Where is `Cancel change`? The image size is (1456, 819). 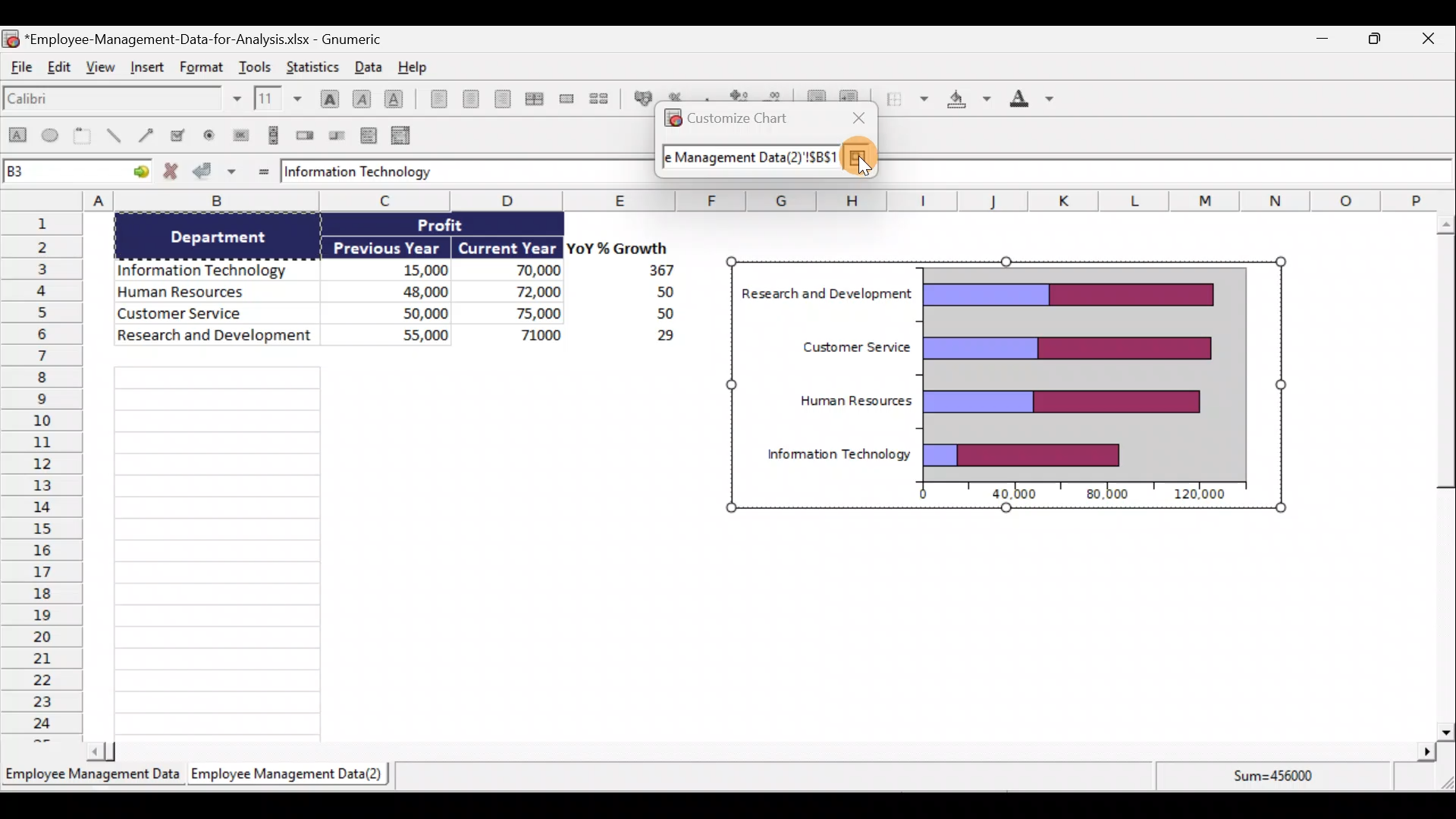
Cancel change is located at coordinates (174, 172).